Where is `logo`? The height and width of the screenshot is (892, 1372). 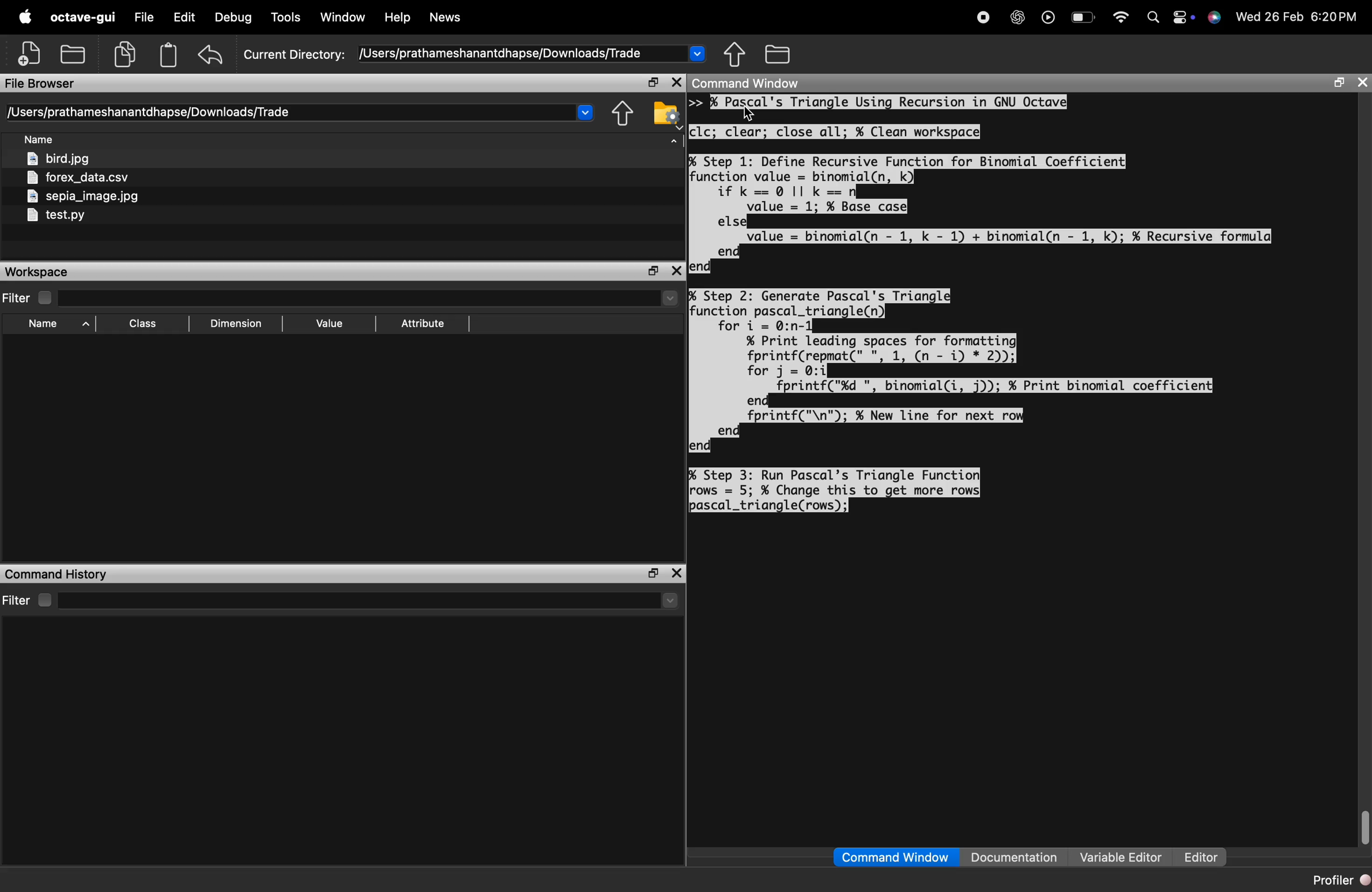
logo is located at coordinates (1215, 17).